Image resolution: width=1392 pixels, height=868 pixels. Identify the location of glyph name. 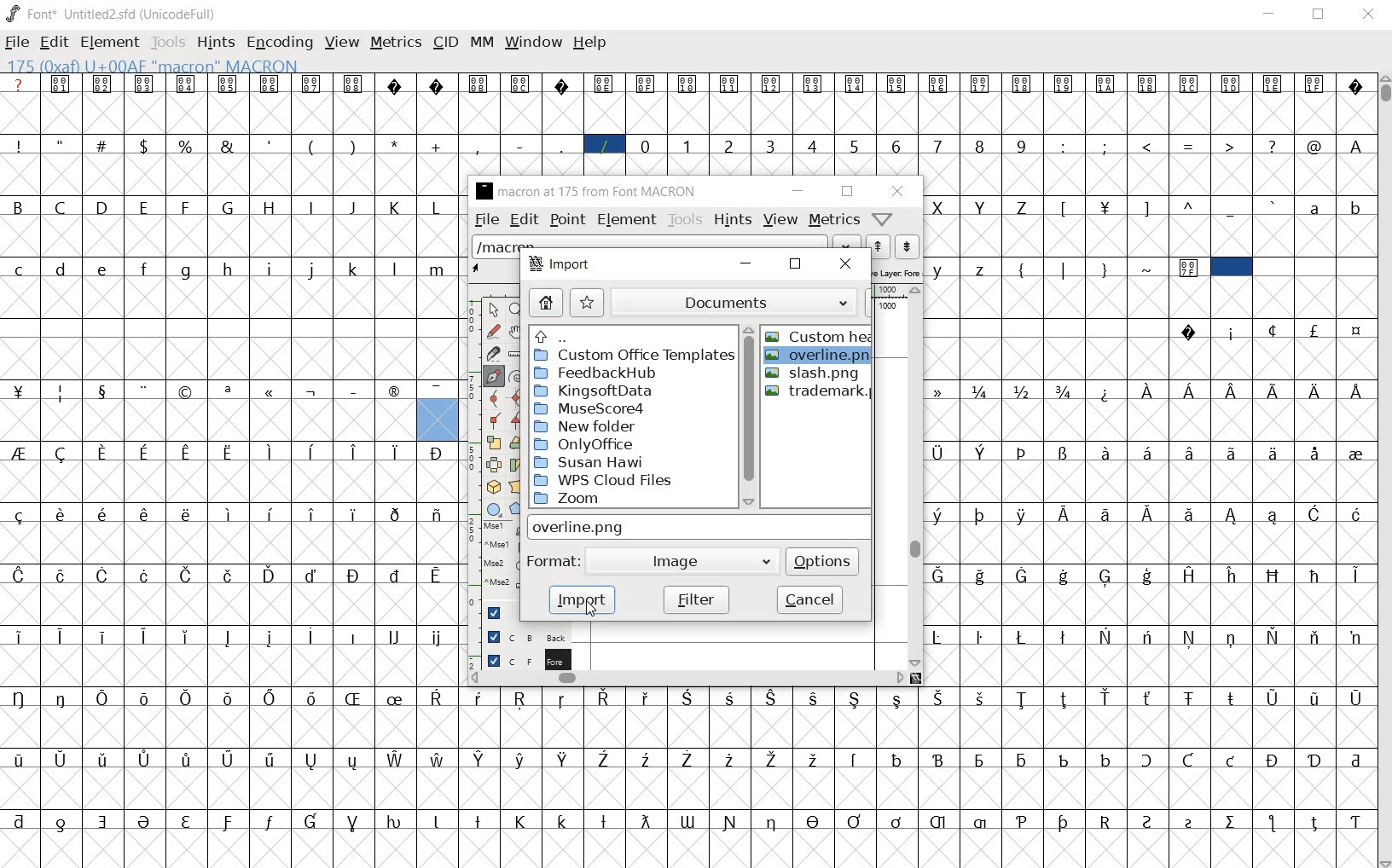
(589, 192).